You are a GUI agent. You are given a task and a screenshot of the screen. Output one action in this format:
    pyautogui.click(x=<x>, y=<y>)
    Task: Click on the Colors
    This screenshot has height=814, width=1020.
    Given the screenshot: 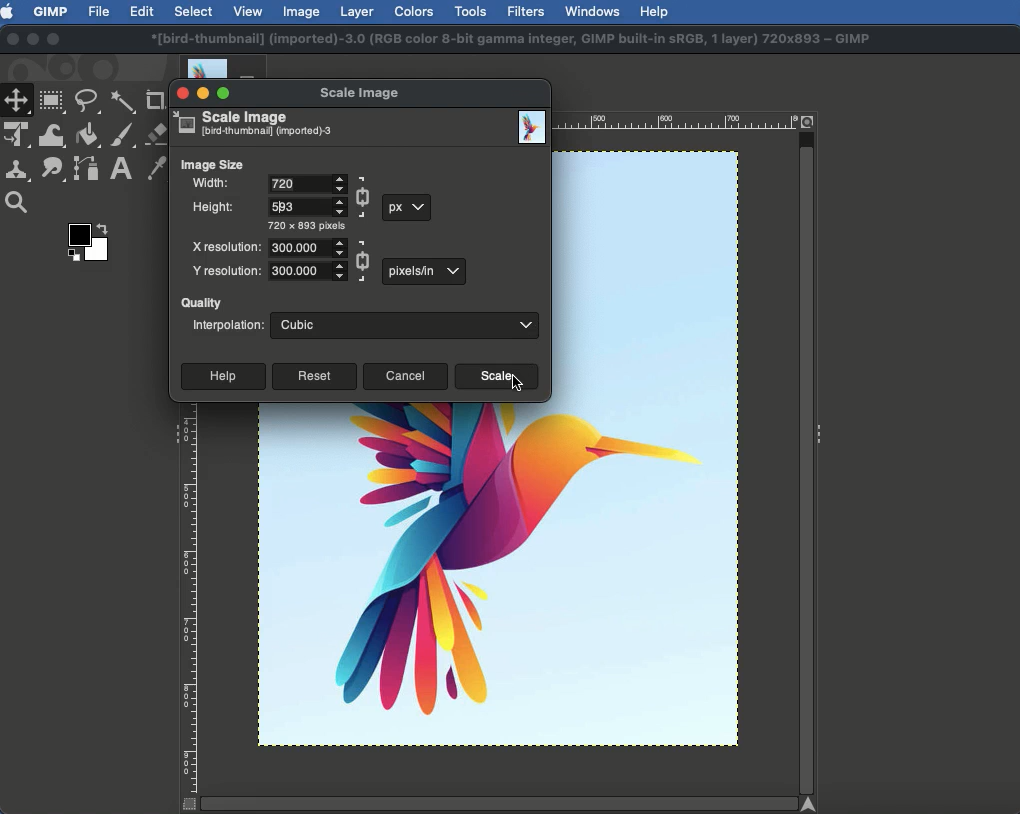 What is the action you would take?
    pyautogui.click(x=413, y=12)
    